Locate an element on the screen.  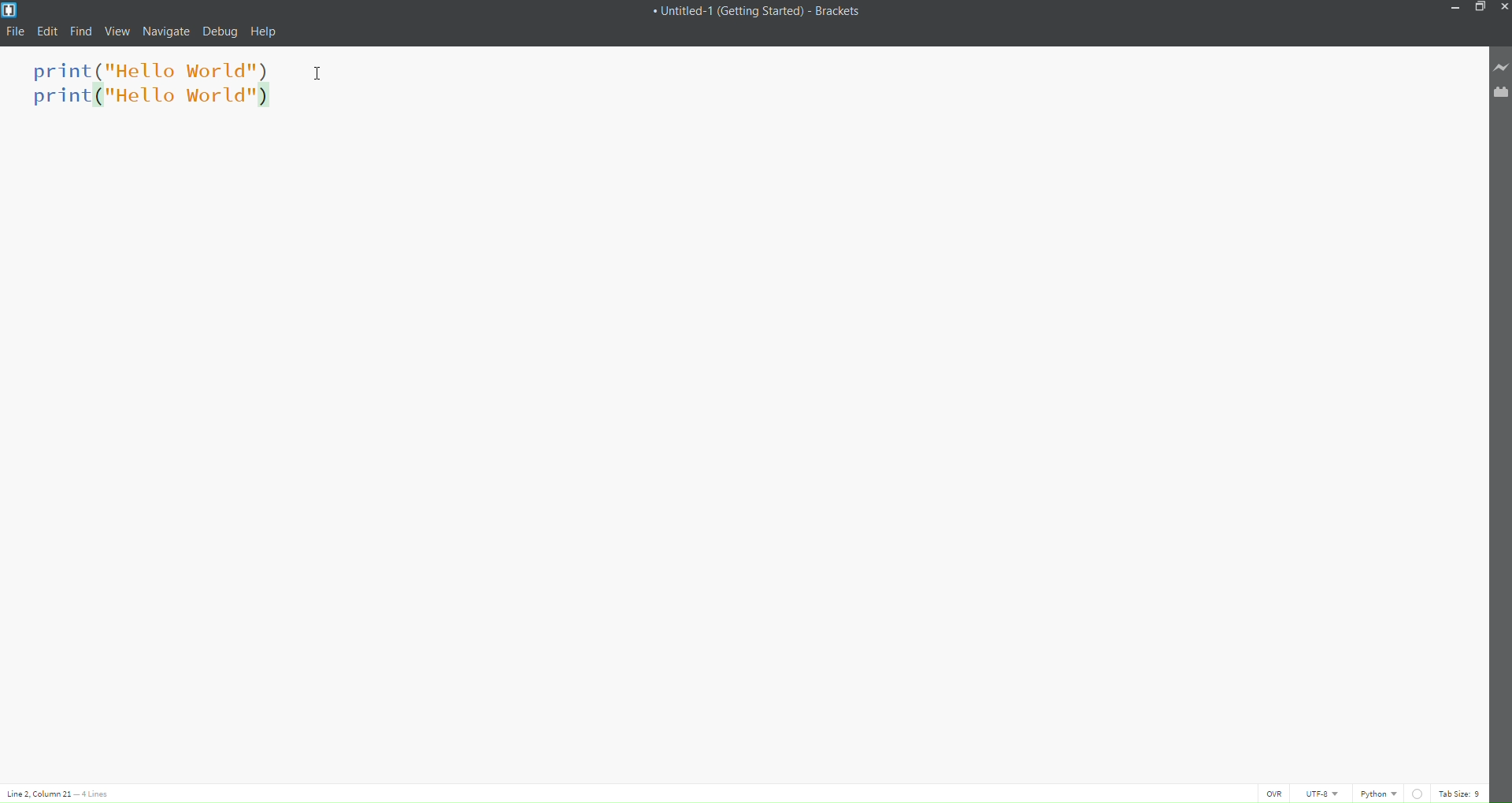
maximize is located at coordinates (1478, 7).